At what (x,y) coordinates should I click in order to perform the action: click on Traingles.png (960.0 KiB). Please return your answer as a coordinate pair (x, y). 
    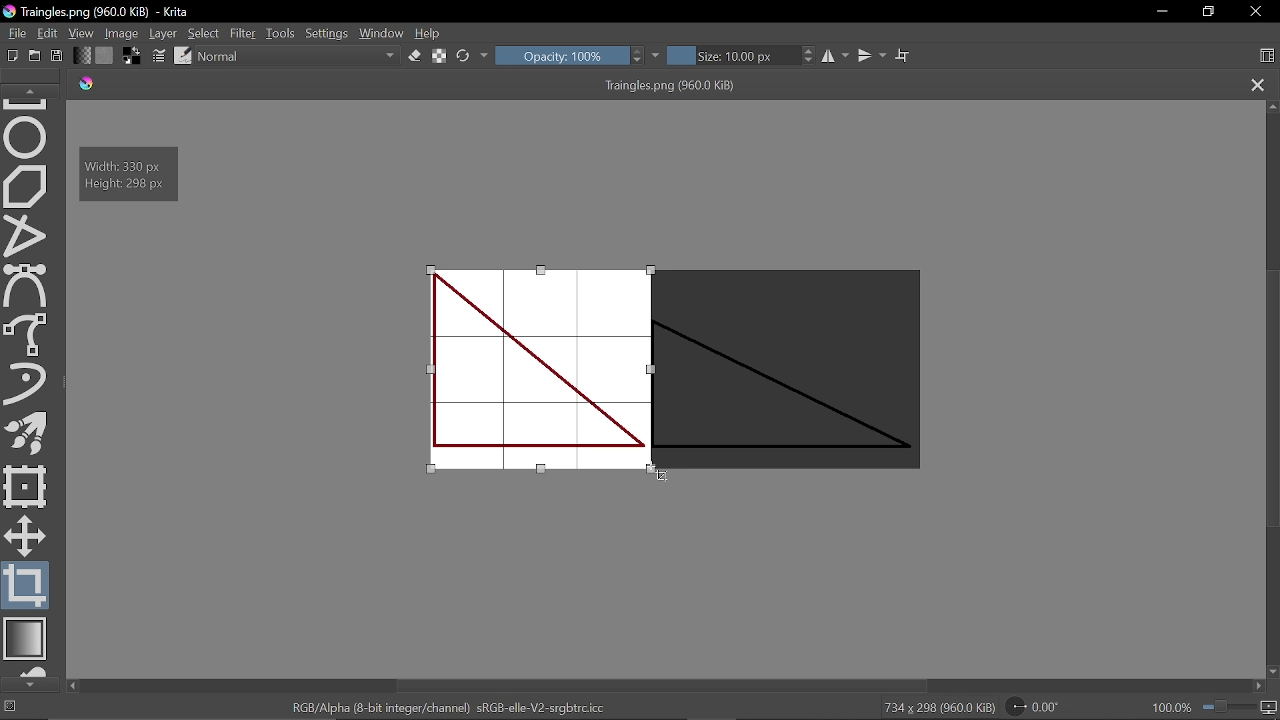
    Looking at the image, I should click on (648, 86).